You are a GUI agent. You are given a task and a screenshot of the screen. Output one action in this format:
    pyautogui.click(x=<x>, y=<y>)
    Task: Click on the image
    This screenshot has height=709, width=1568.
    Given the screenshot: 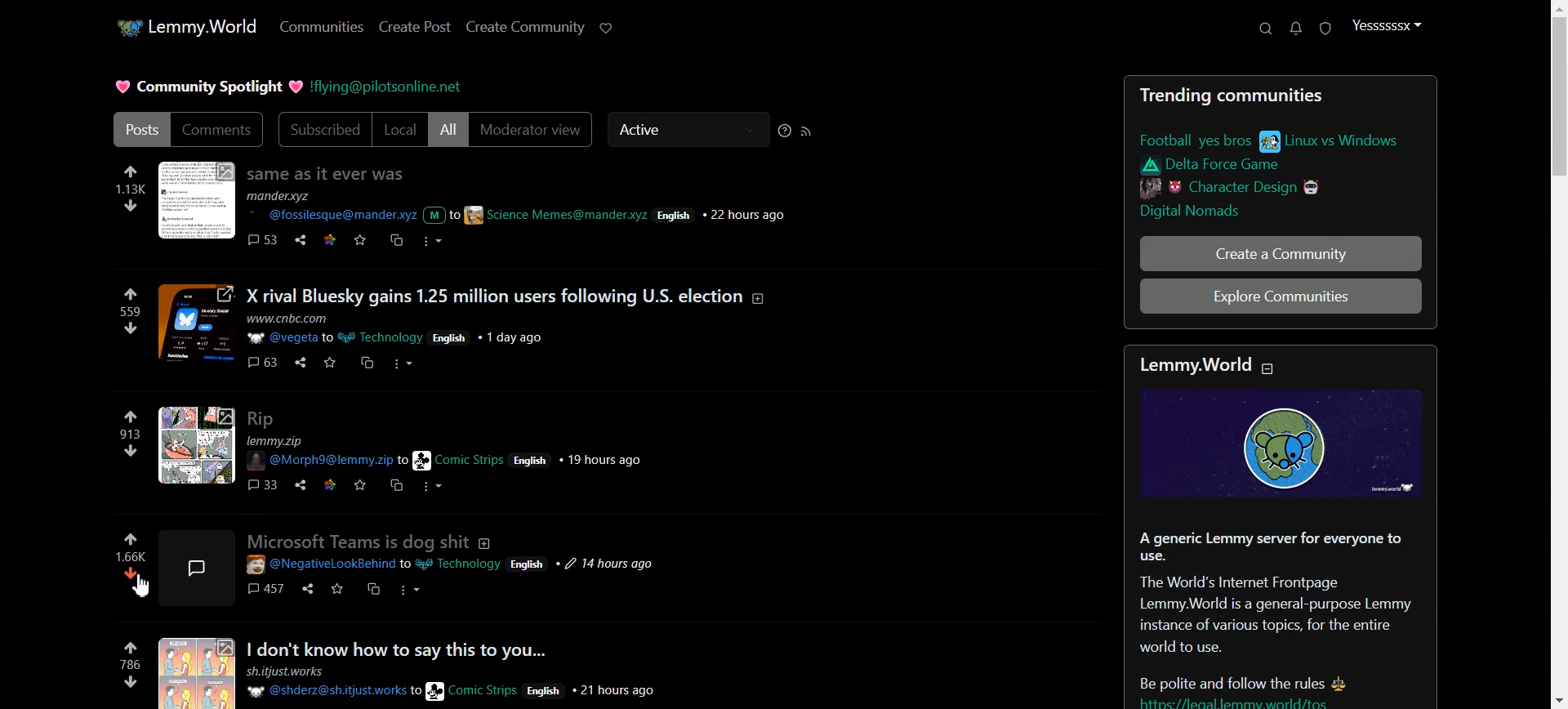 What is the action you would take?
    pyautogui.click(x=198, y=323)
    